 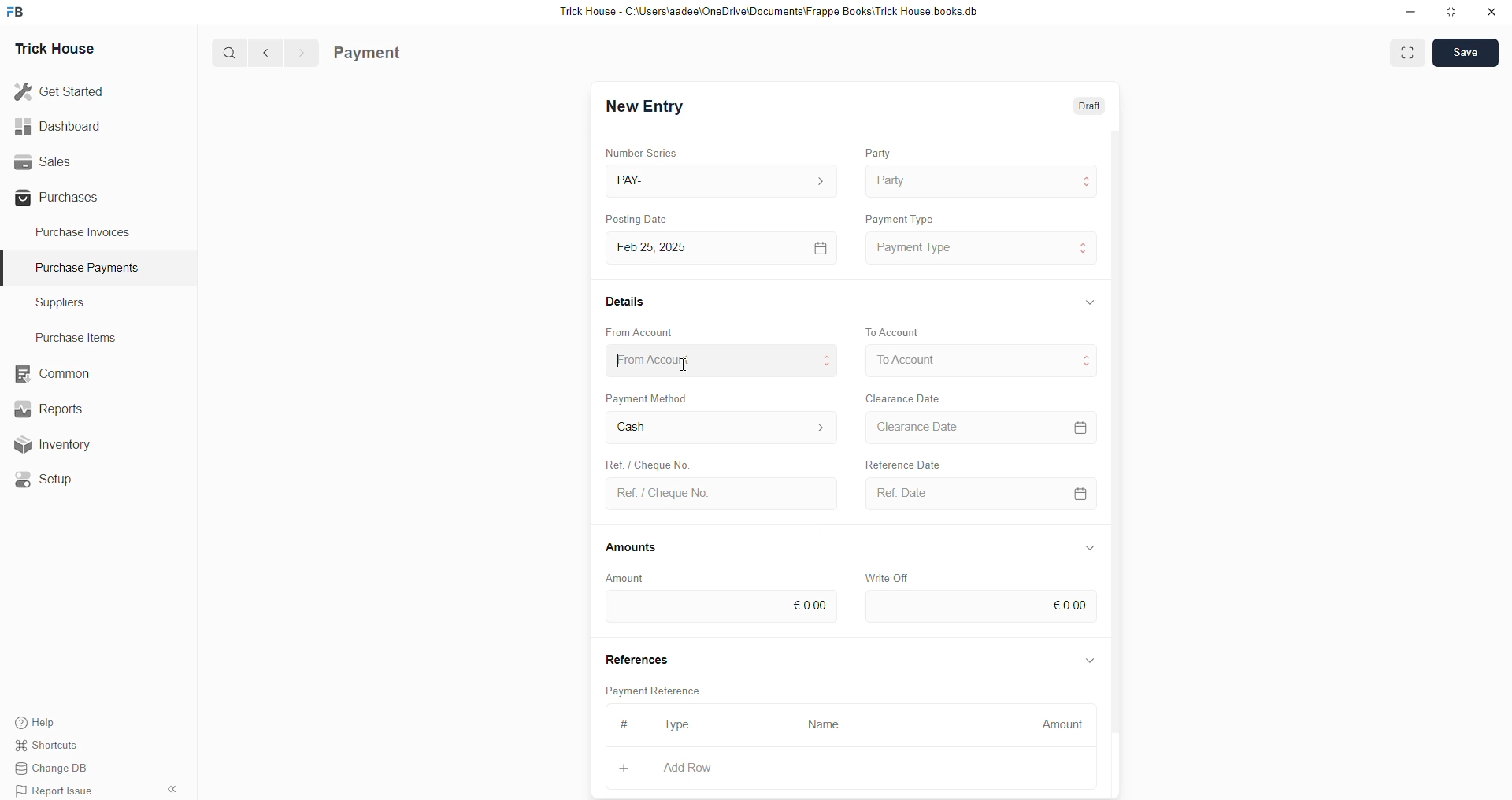 What do you see at coordinates (626, 765) in the screenshot?
I see `+` at bounding box center [626, 765].